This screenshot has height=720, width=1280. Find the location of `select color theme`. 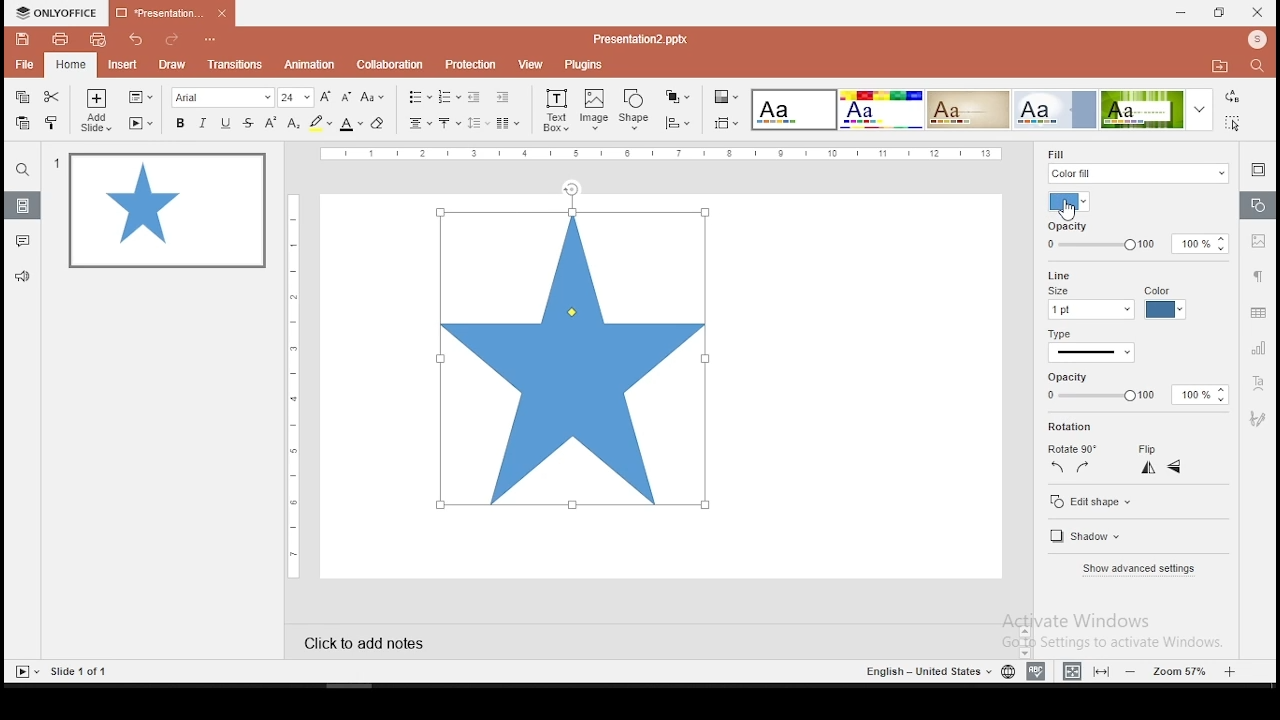

select color theme is located at coordinates (727, 98).